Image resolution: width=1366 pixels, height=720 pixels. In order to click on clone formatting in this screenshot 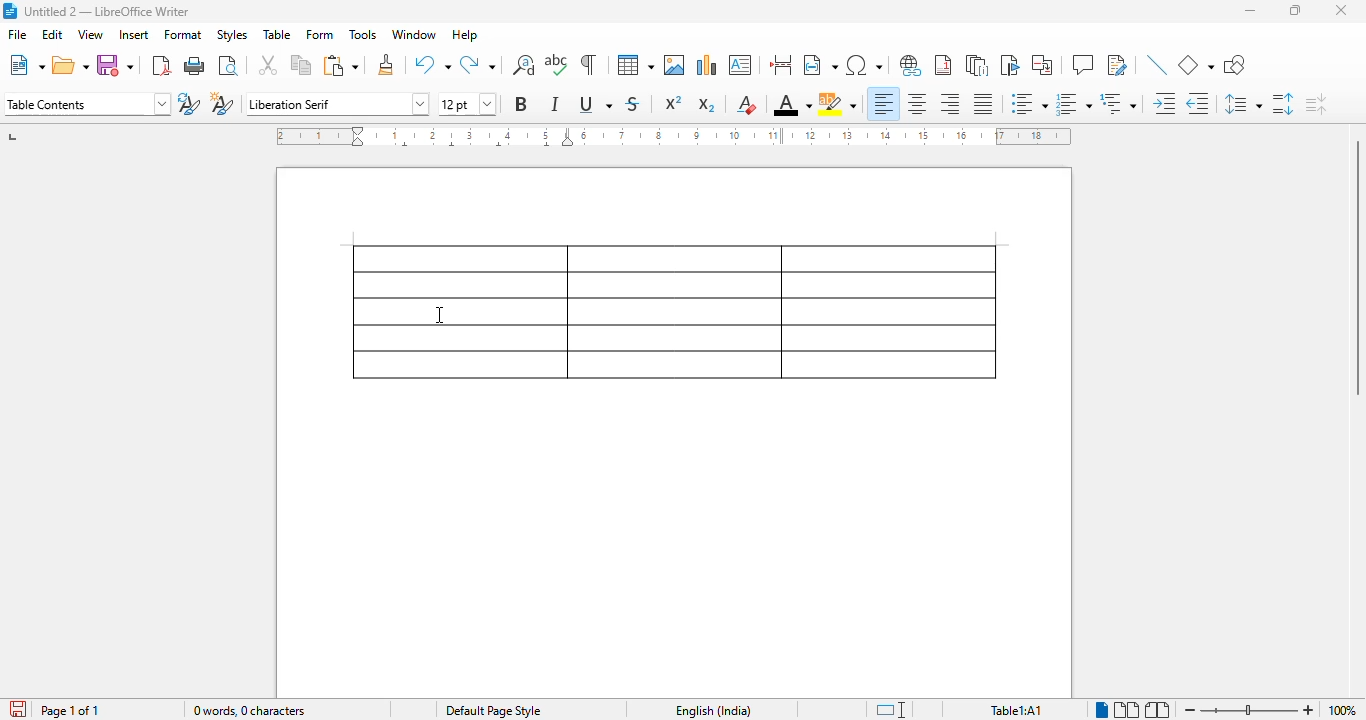, I will do `click(388, 64)`.